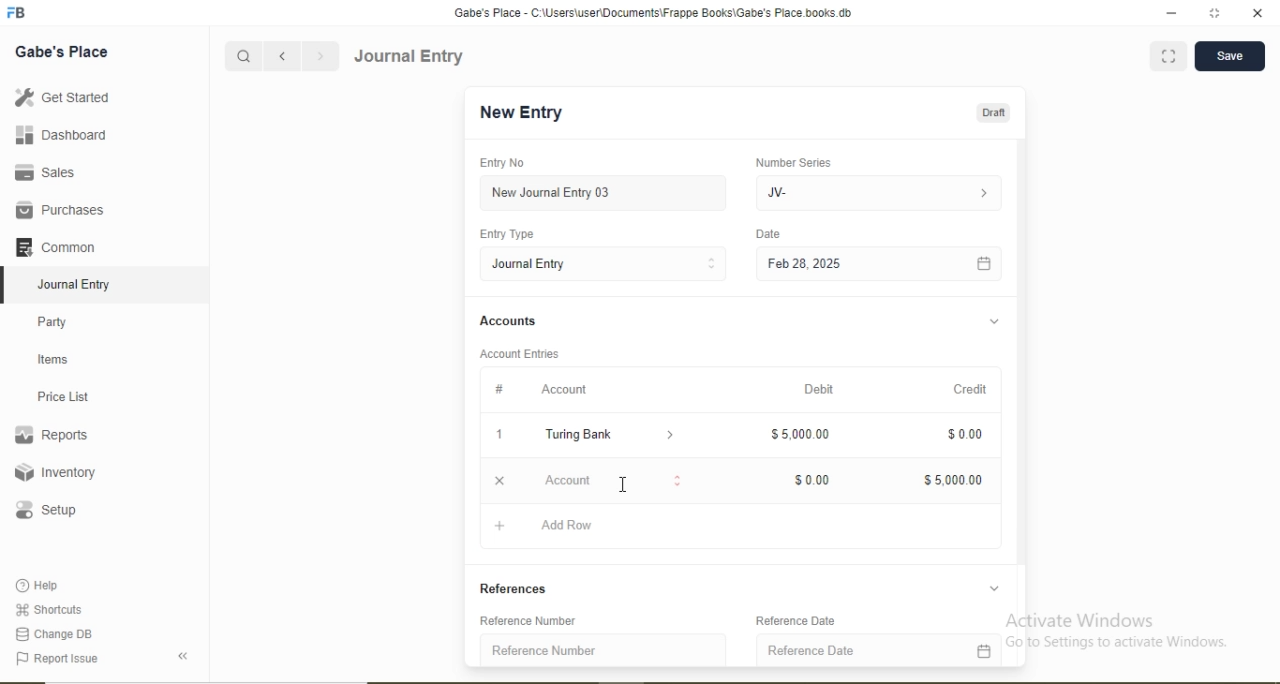 The height and width of the screenshot is (684, 1280). Describe the element at coordinates (1229, 54) in the screenshot. I see `Save` at that location.